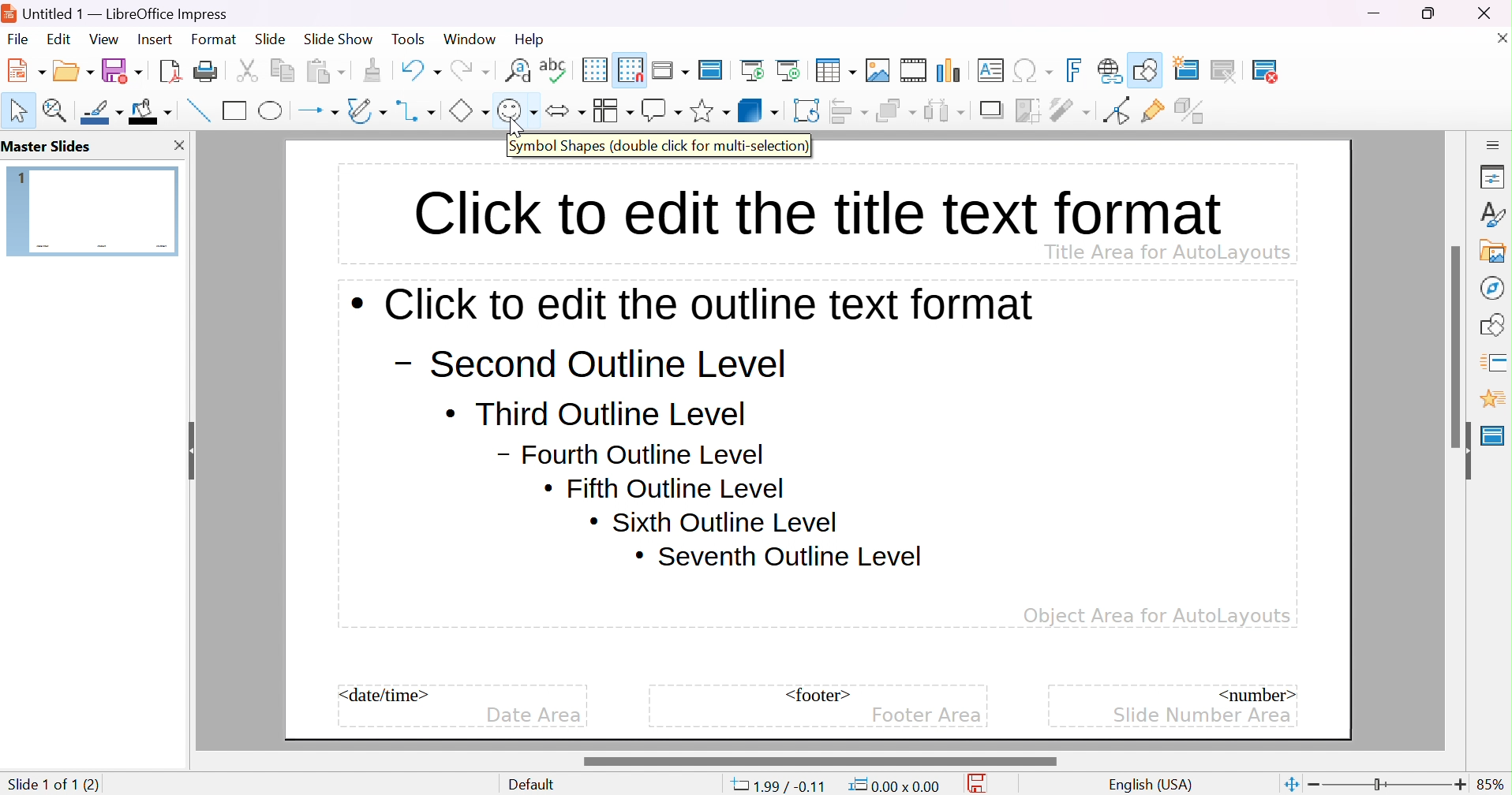 The image size is (1512, 795). I want to click on rectangle, so click(235, 110).